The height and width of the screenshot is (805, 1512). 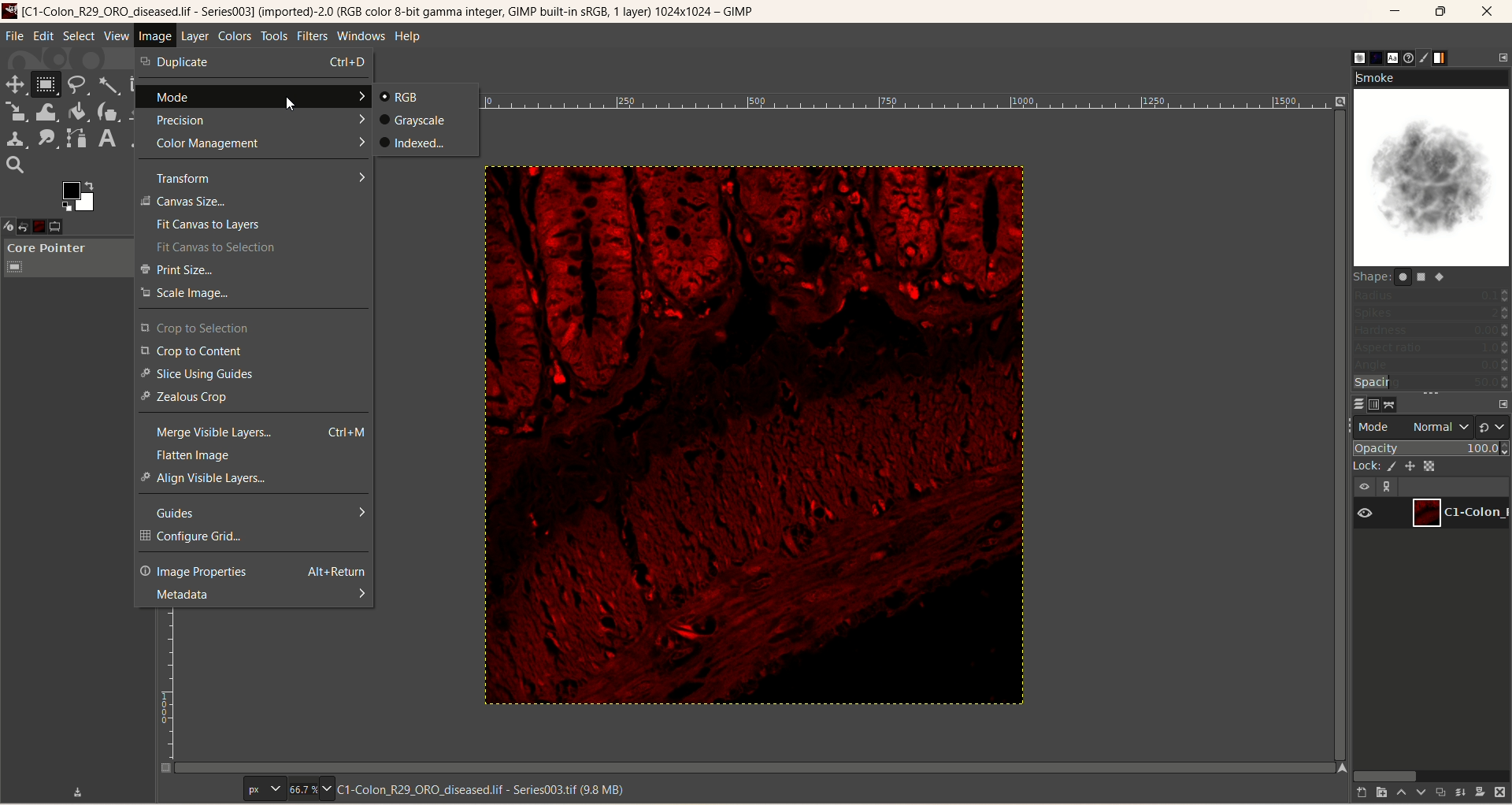 I want to click on hardness, so click(x=1432, y=332).